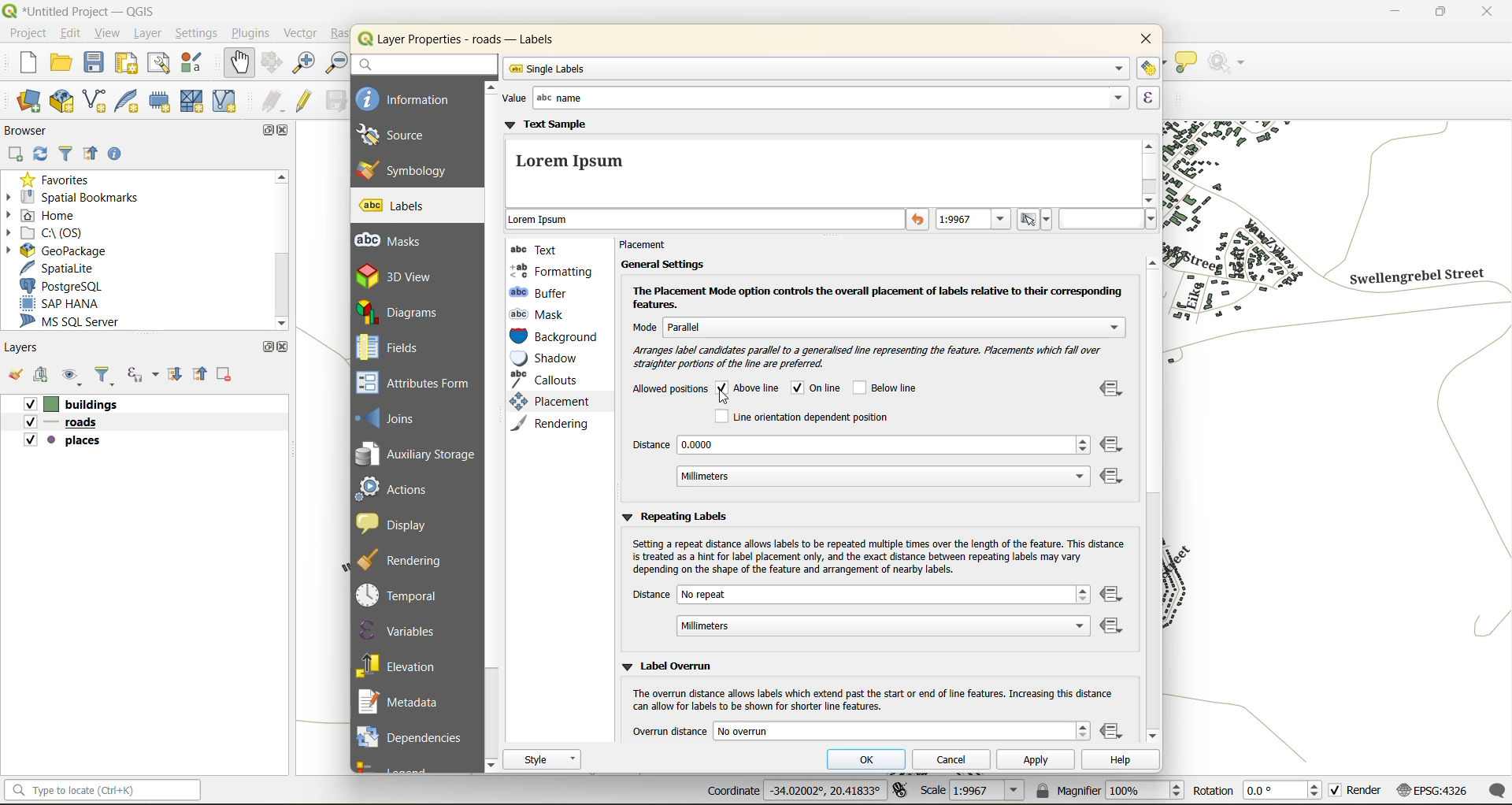 The height and width of the screenshot is (805, 1512). I want to click on ms sql server, so click(73, 322).